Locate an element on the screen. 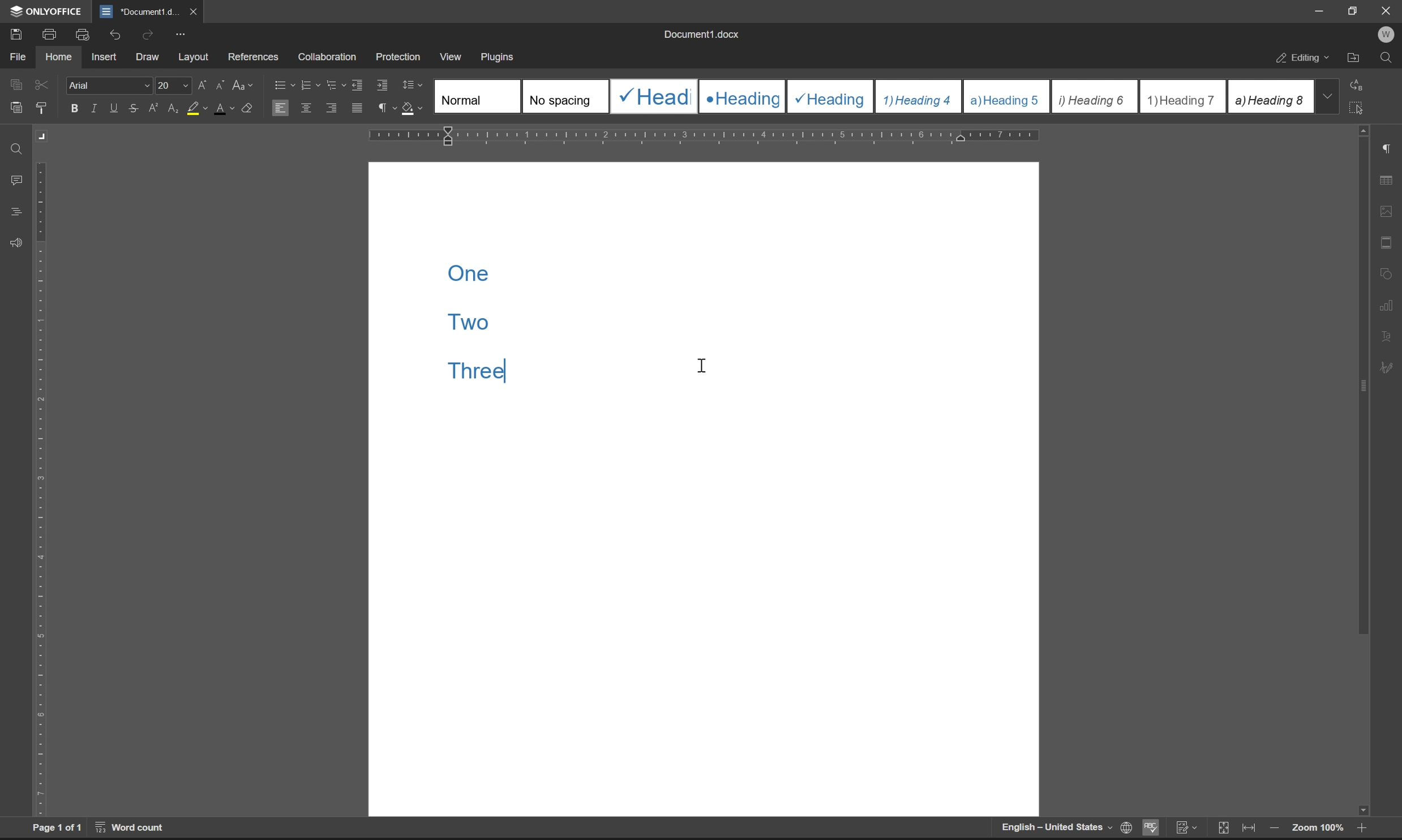 This screenshot has width=1402, height=840. word count is located at coordinates (131, 827).